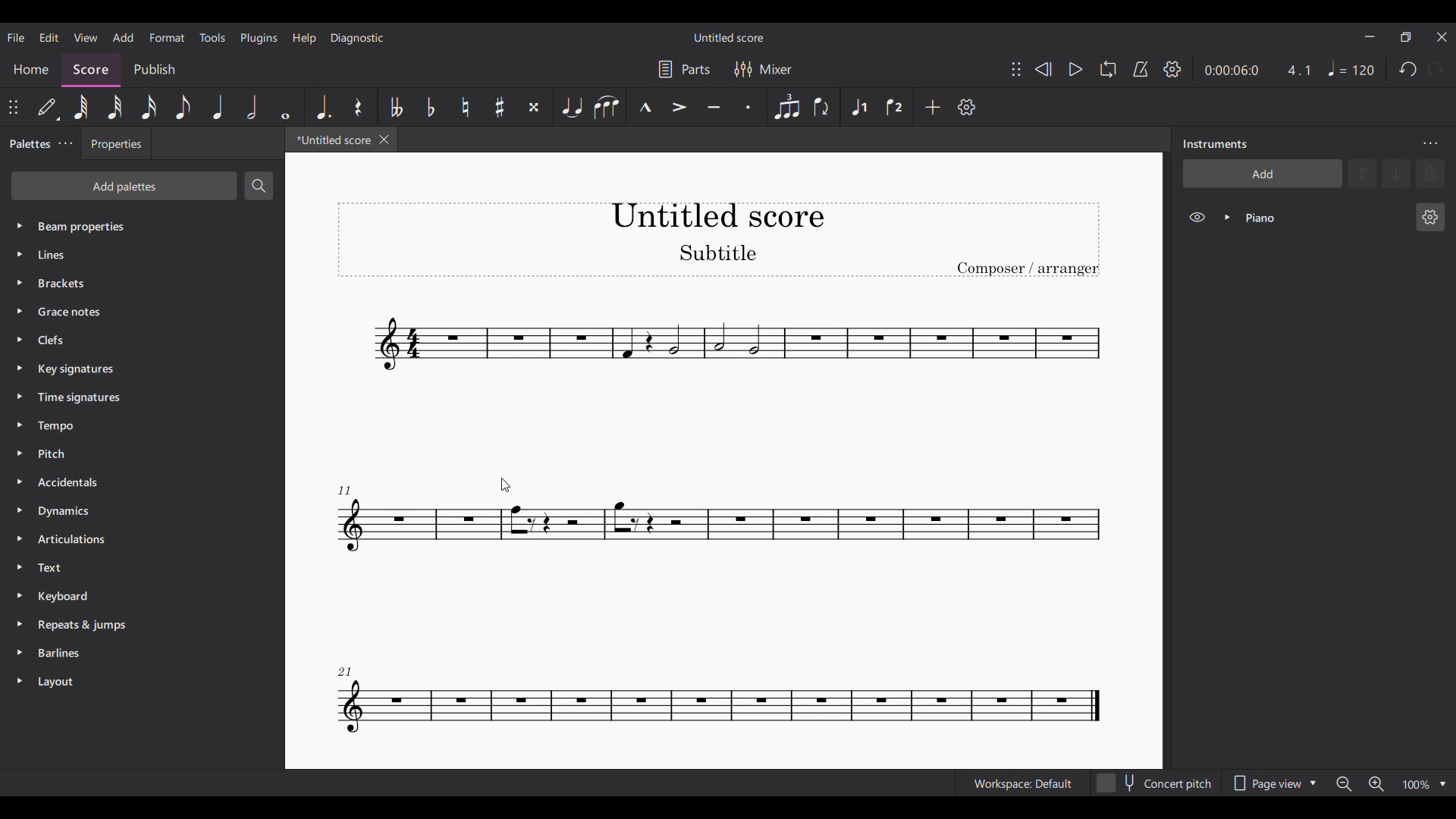  I want to click on Properties panel, so click(116, 143).